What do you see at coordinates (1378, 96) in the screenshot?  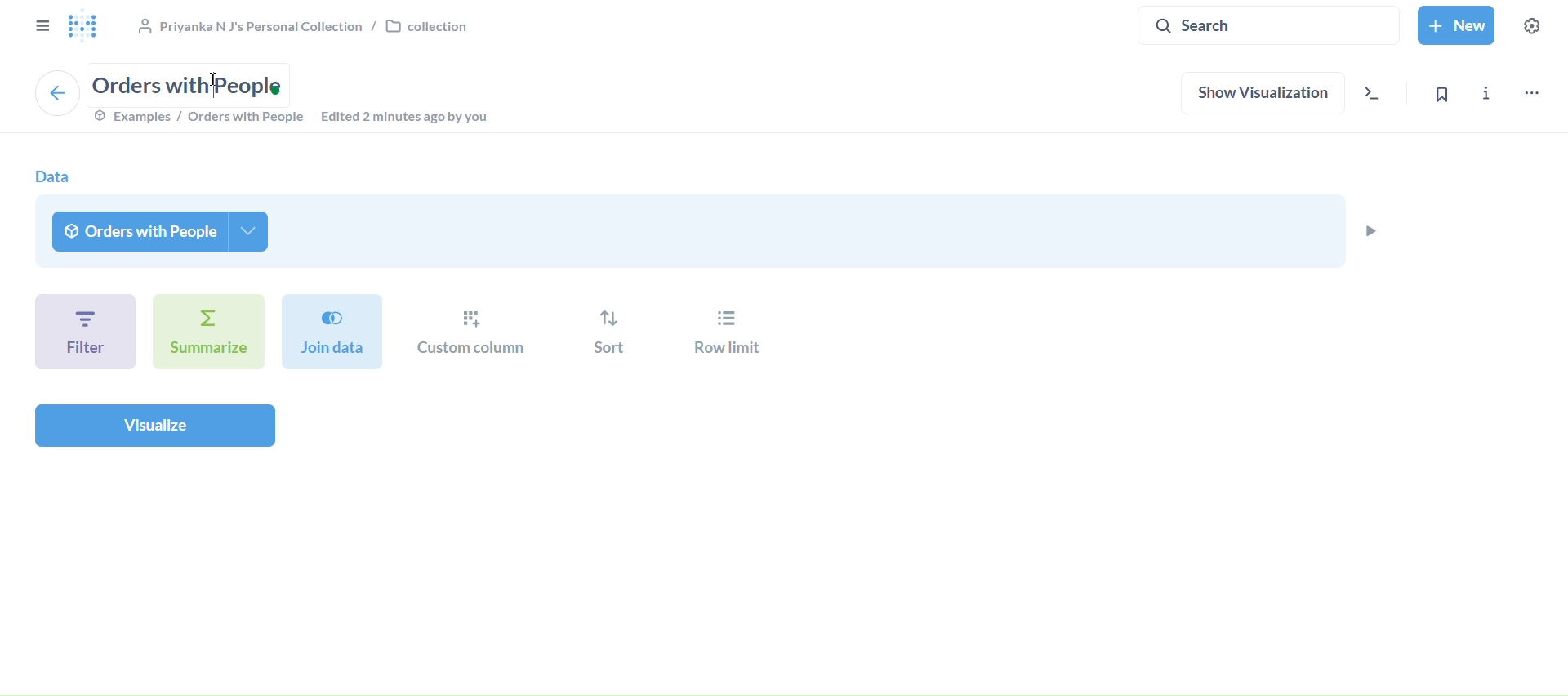 I see `view the sql` at bounding box center [1378, 96].